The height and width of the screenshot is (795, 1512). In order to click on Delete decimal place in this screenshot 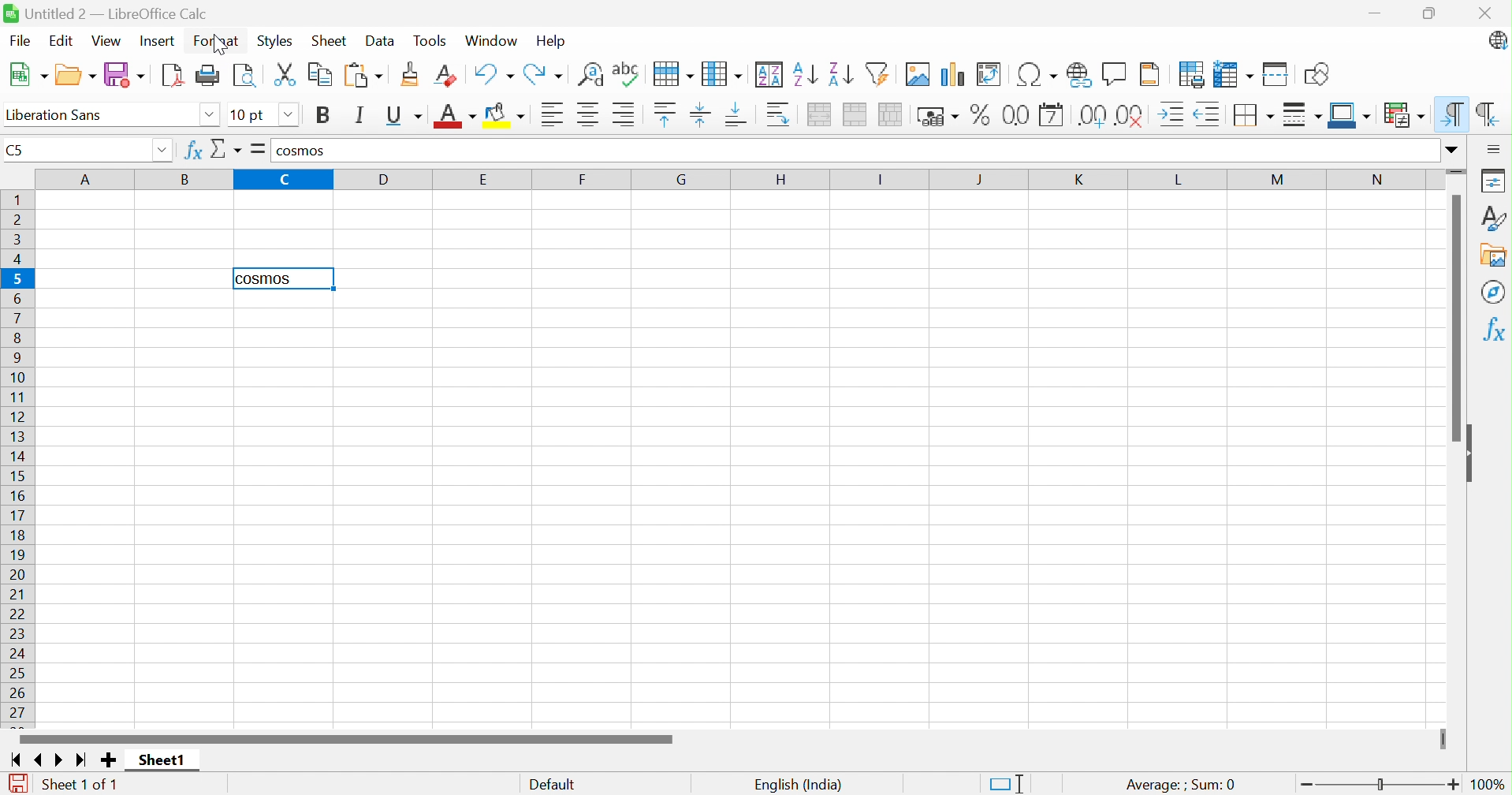, I will do `click(1131, 118)`.